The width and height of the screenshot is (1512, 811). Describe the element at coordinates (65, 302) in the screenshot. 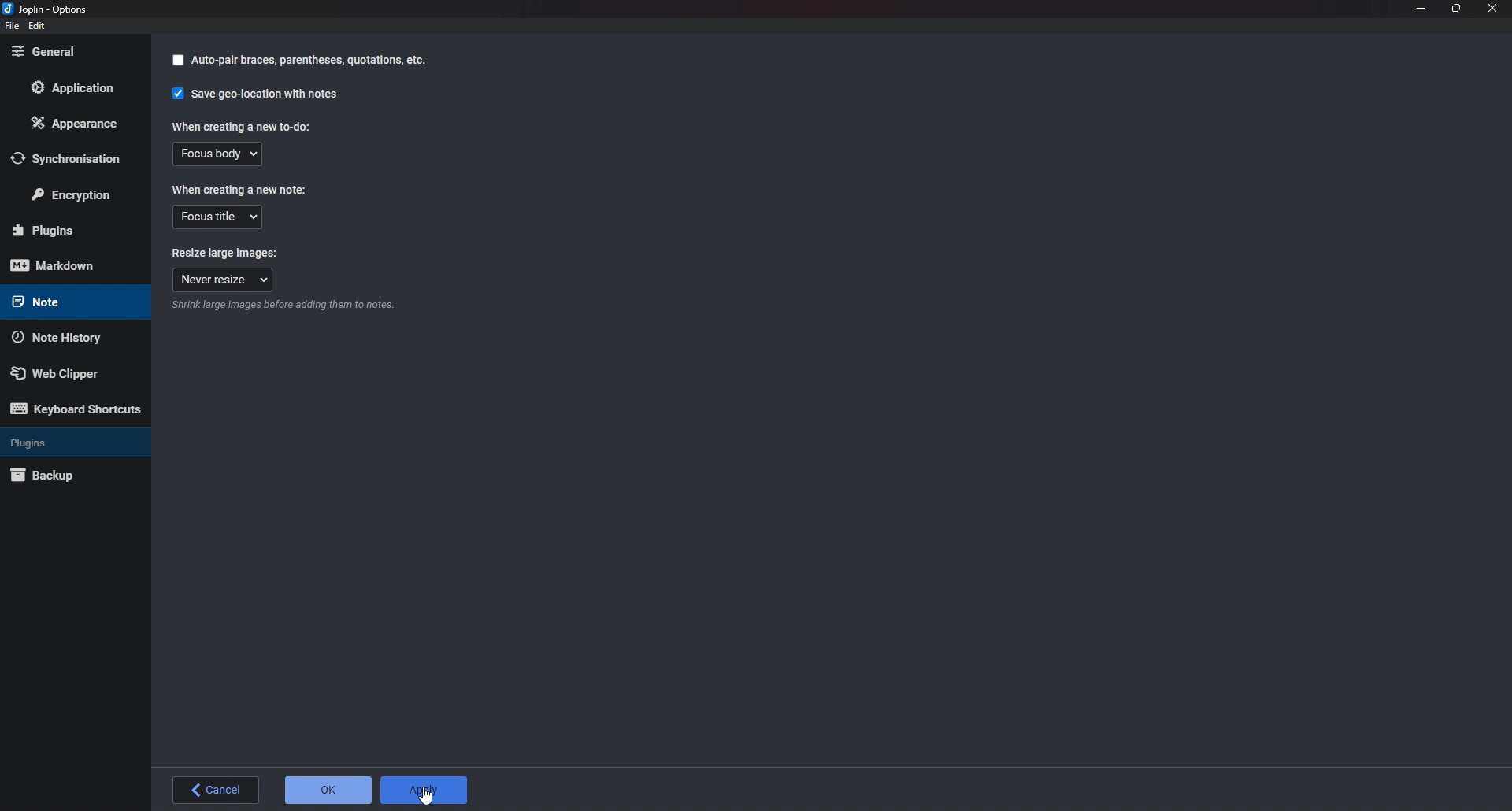

I see `note` at that location.